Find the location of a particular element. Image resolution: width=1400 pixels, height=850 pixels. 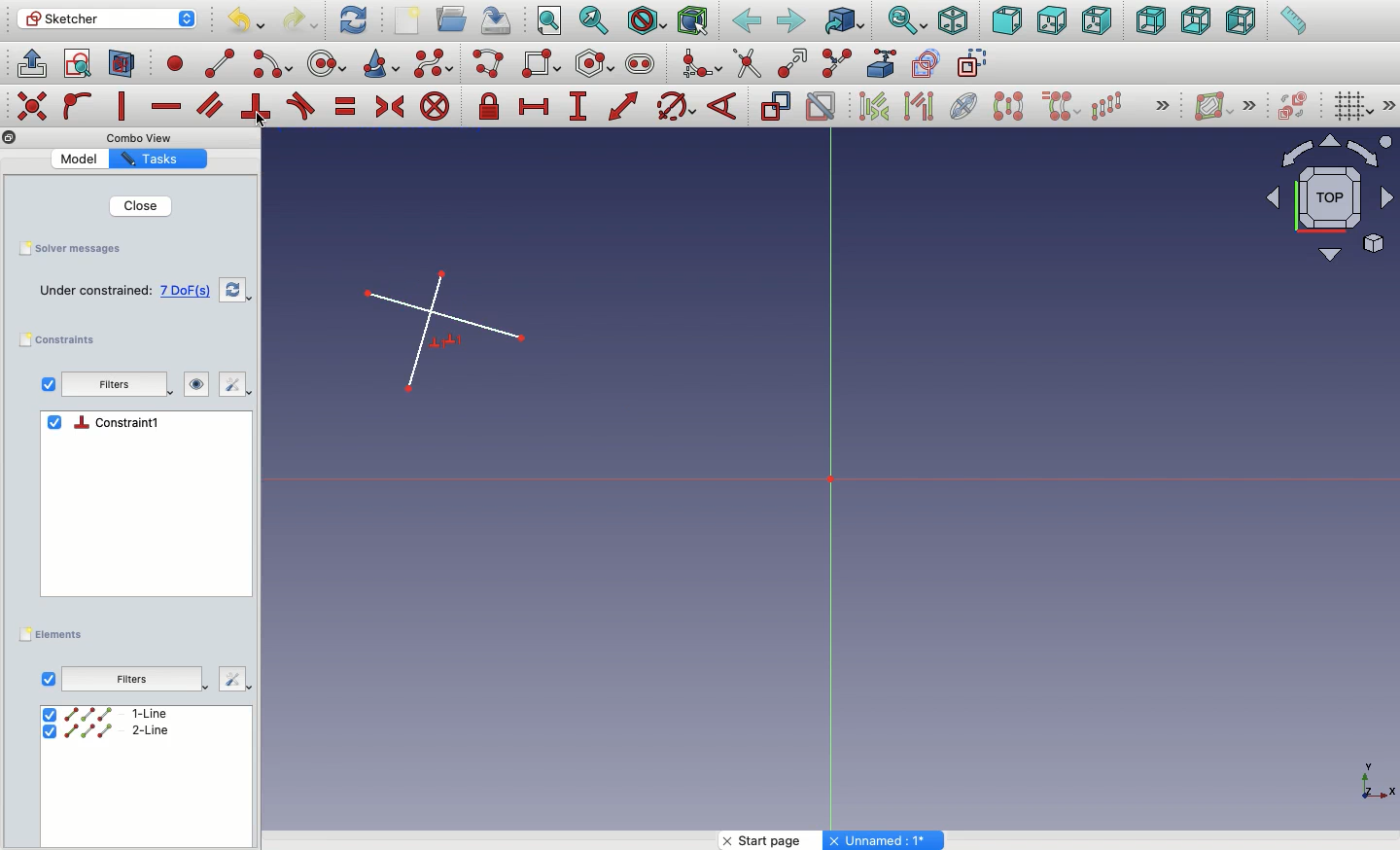

 is located at coordinates (1320, 206).